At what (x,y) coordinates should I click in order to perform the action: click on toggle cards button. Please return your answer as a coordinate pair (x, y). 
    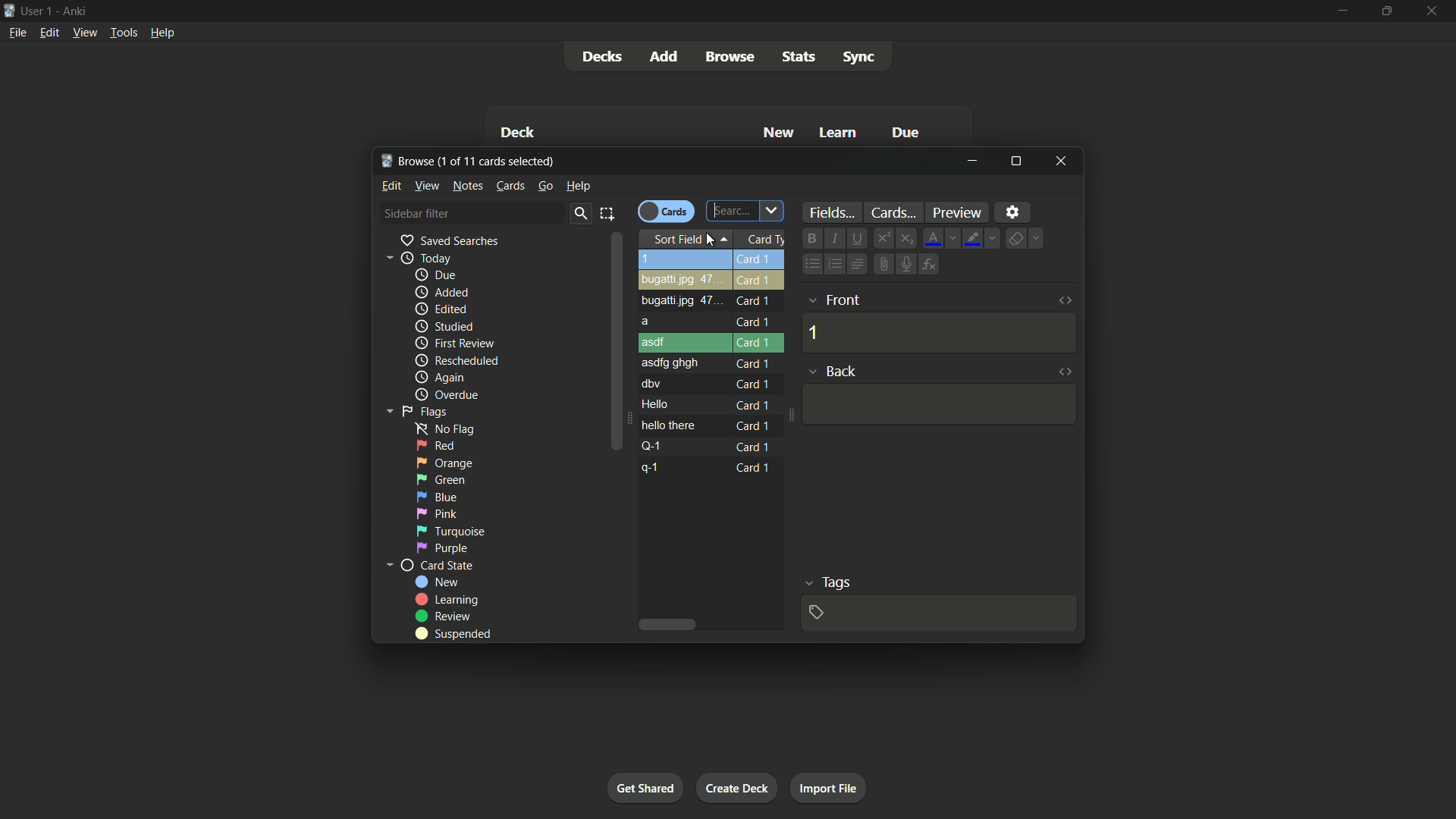
    Looking at the image, I should click on (666, 211).